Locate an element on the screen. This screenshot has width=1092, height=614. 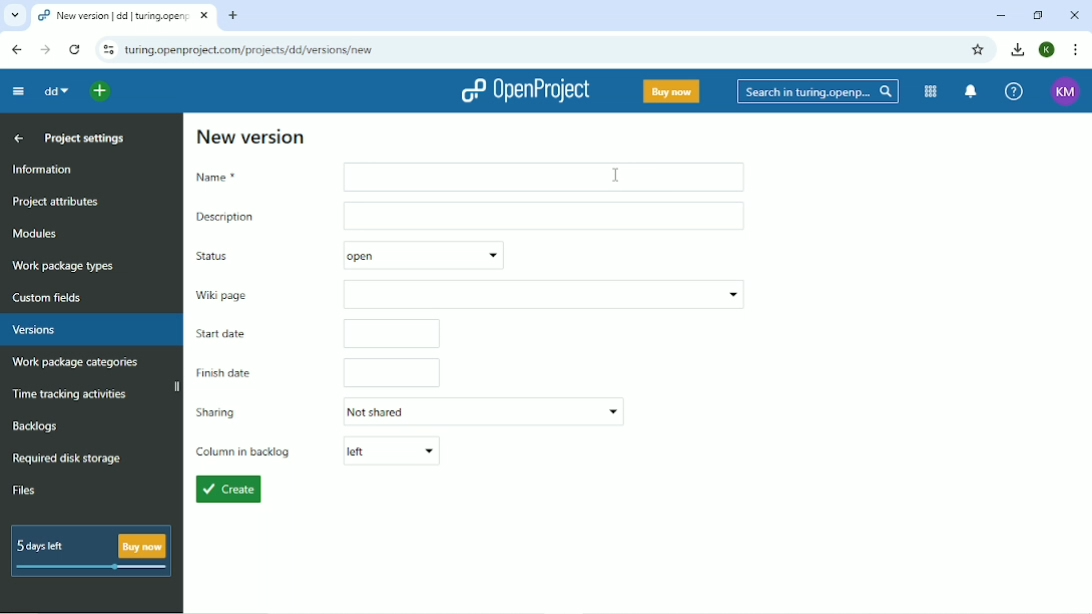
Back is located at coordinates (18, 50).